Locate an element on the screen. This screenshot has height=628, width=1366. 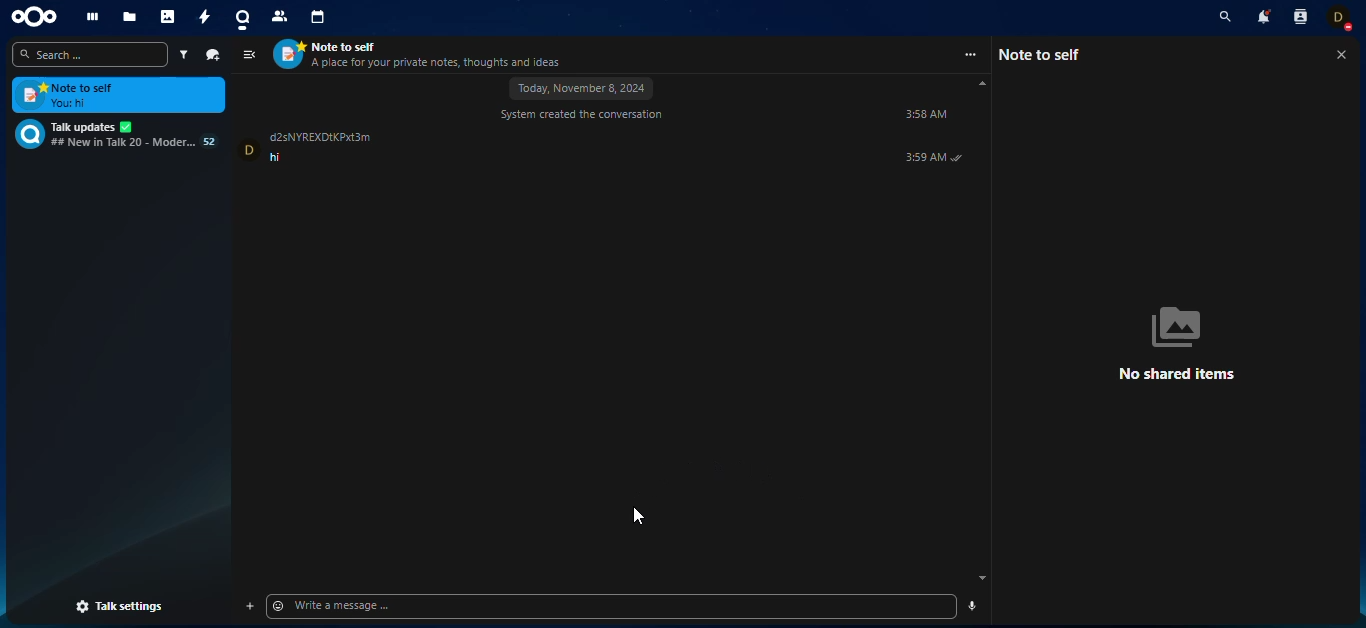
profile is located at coordinates (246, 149).